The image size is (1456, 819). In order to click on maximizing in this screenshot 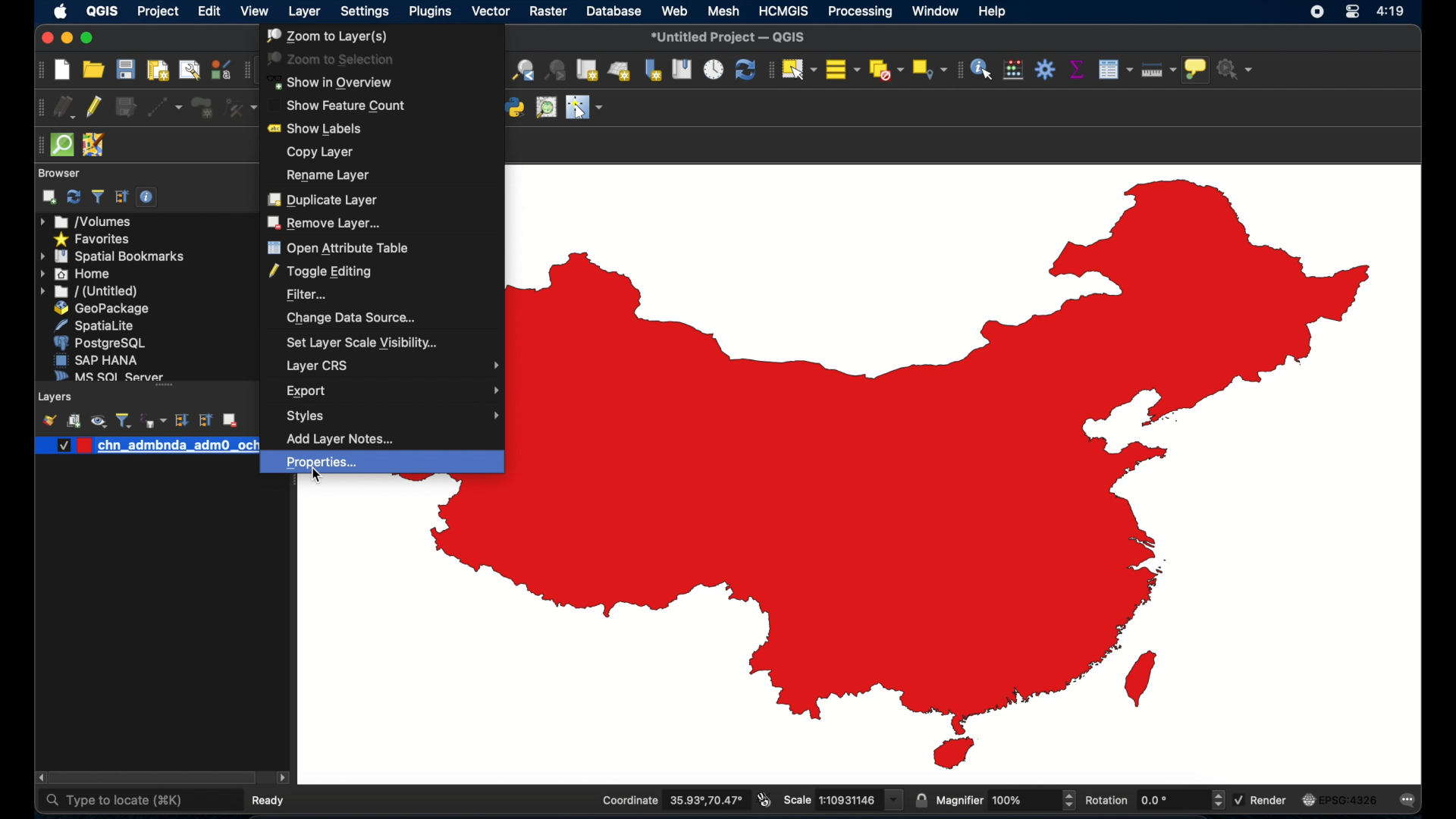, I will do `click(88, 39)`.